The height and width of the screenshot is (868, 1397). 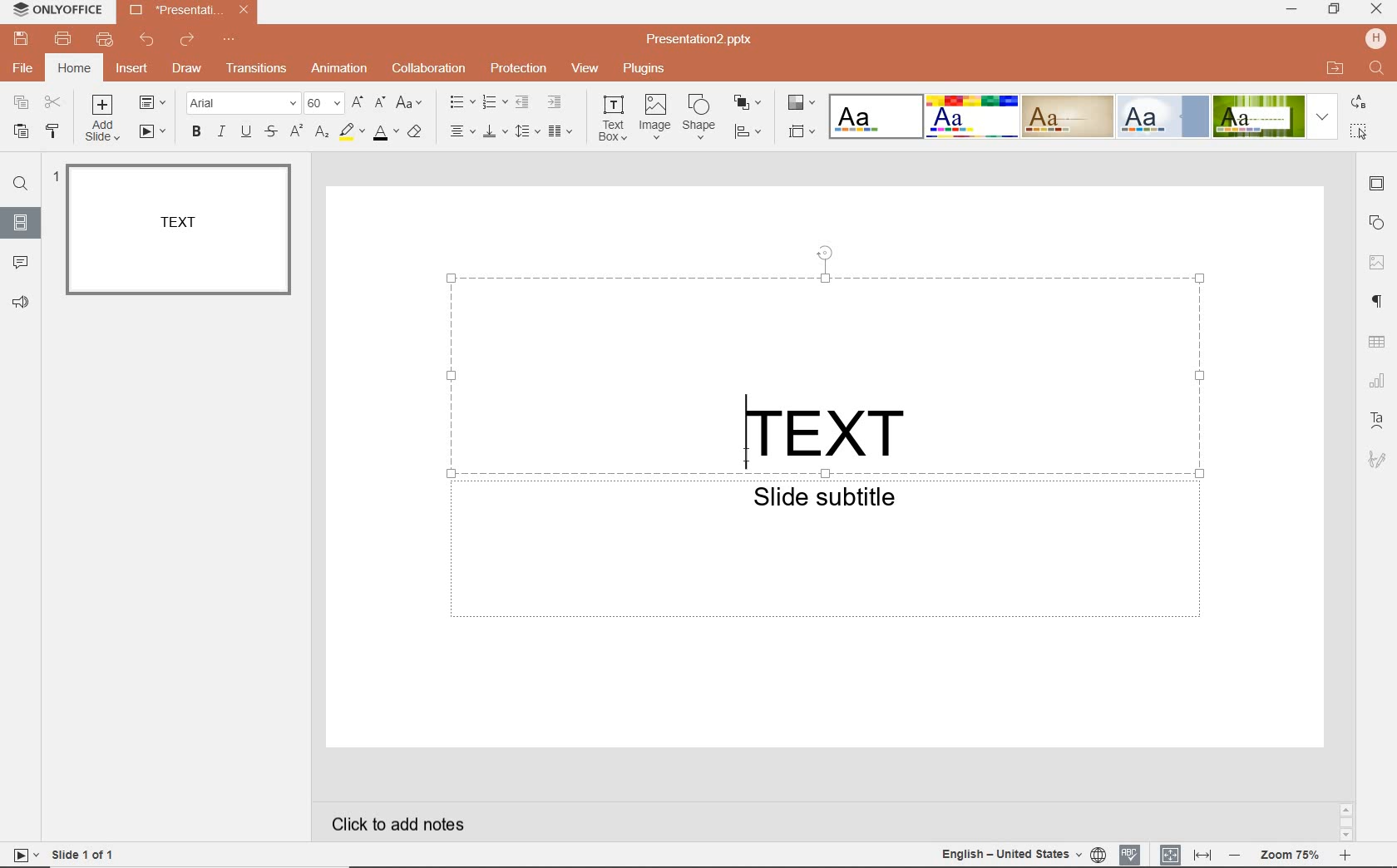 What do you see at coordinates (147, 39) in the screenshot?
I see `UNDO` at bounding box center [147, 39].